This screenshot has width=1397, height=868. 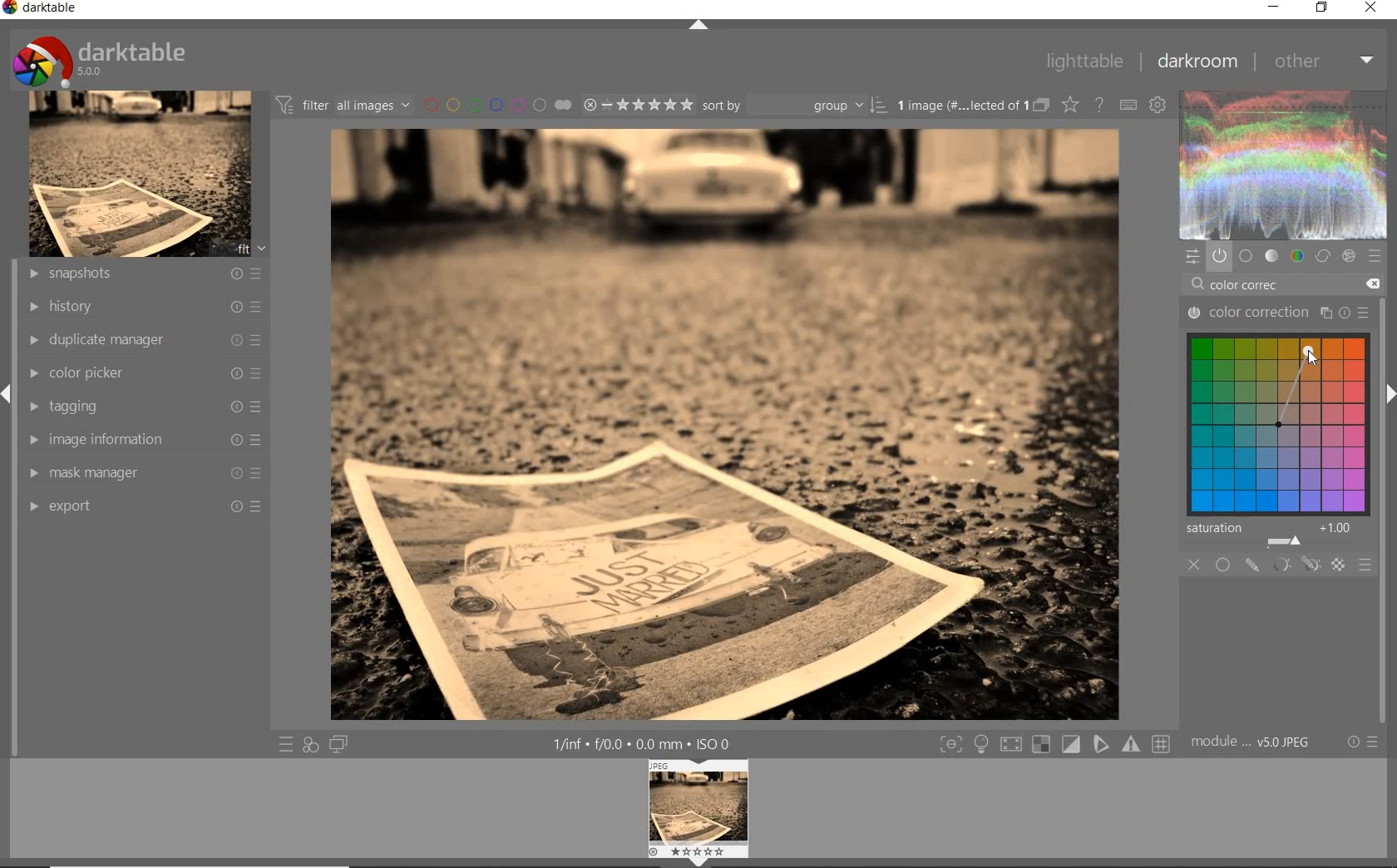 I want to click on filter images , so click(x=343, y=104).